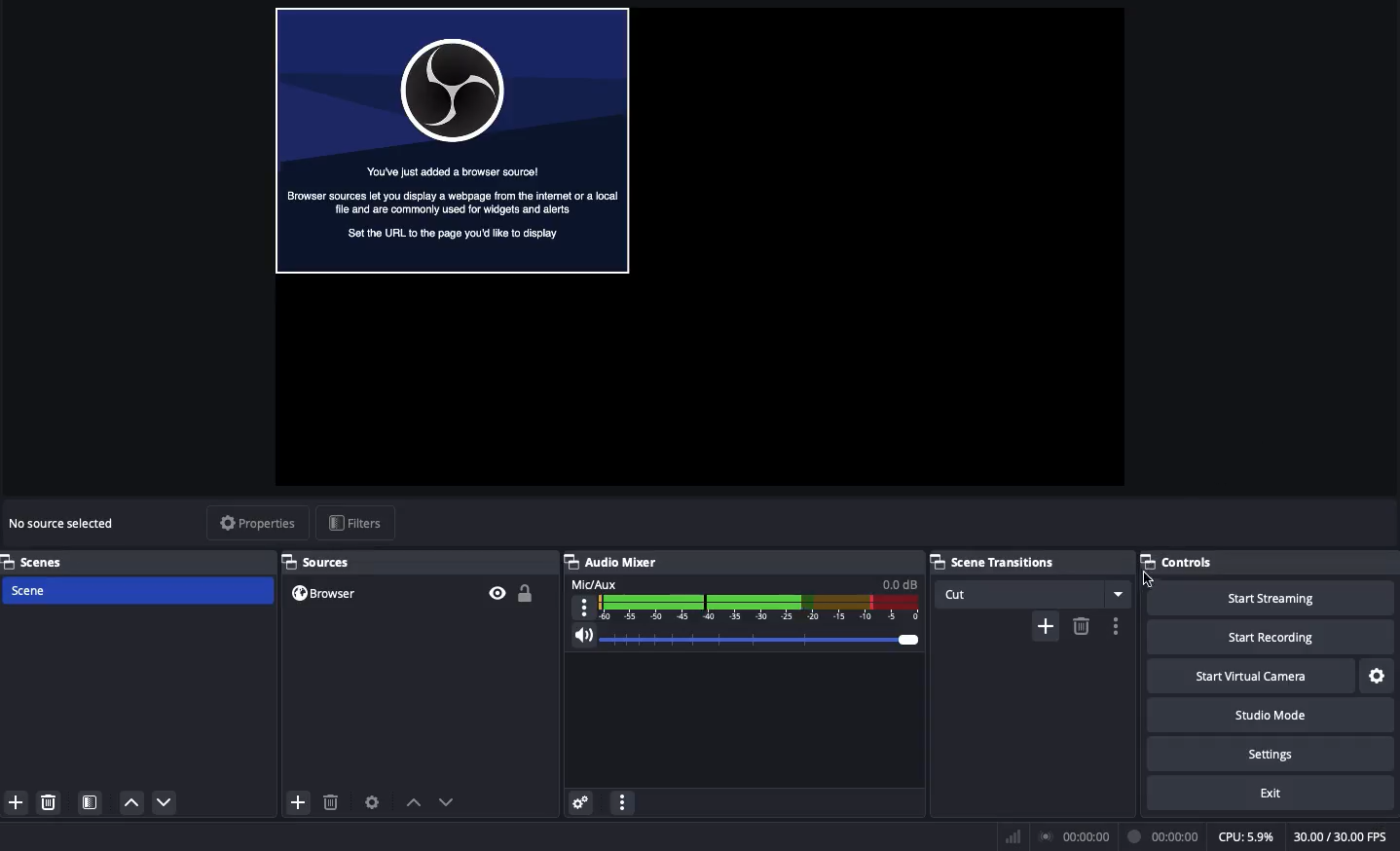 The image size is (1400, 851). Describe the element at coordinates (1266, 597) in the screenshot. I see `Start streaming` at that location.